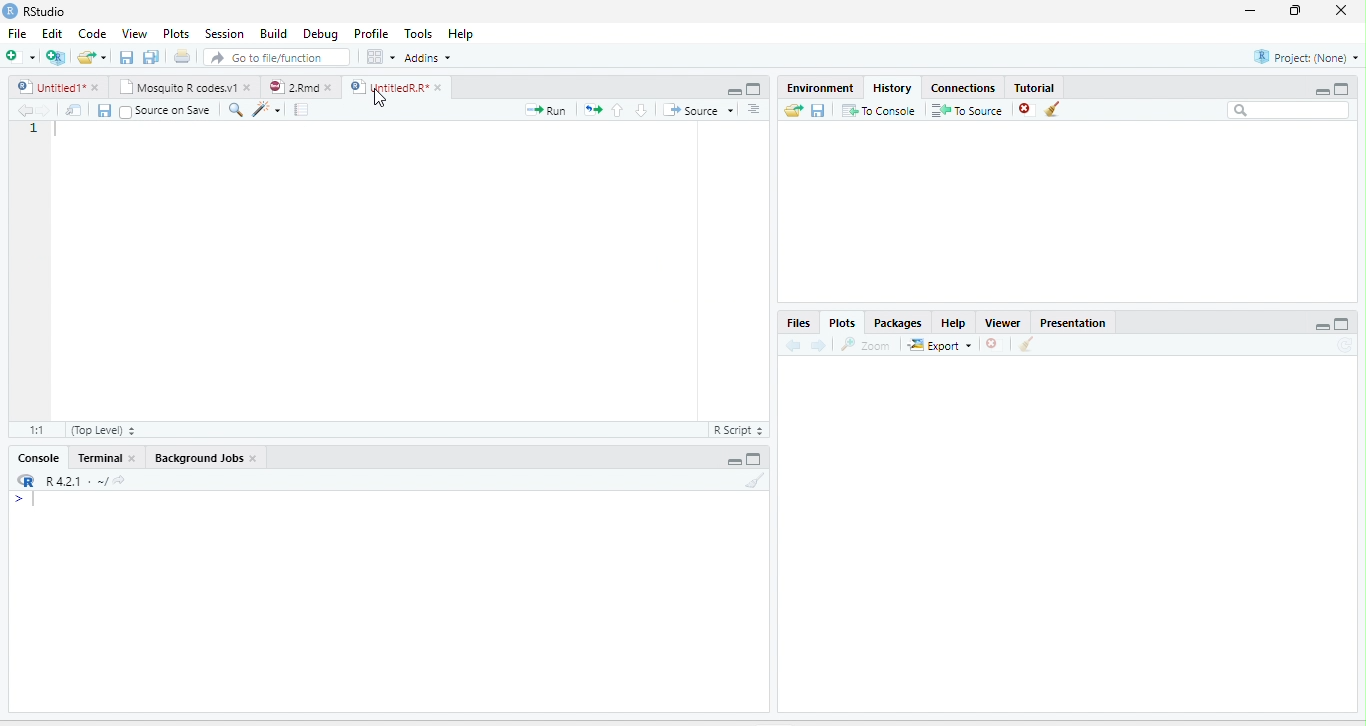 Image resolution: width=1366 pixels, height=726 pixels. I want to click on Debug, so click(320, 34).